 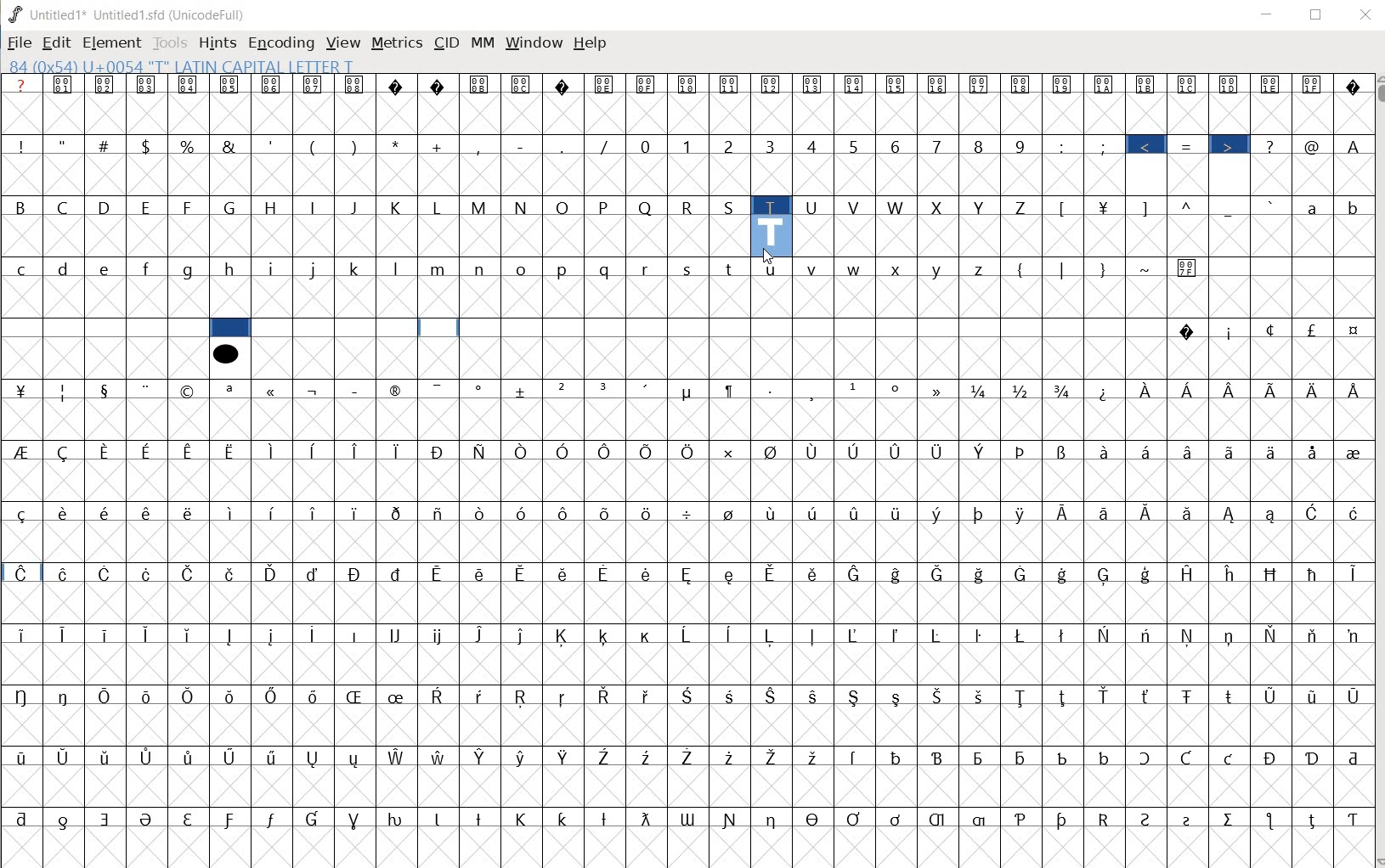 I want to click on ?, so click(x=24, y=85).